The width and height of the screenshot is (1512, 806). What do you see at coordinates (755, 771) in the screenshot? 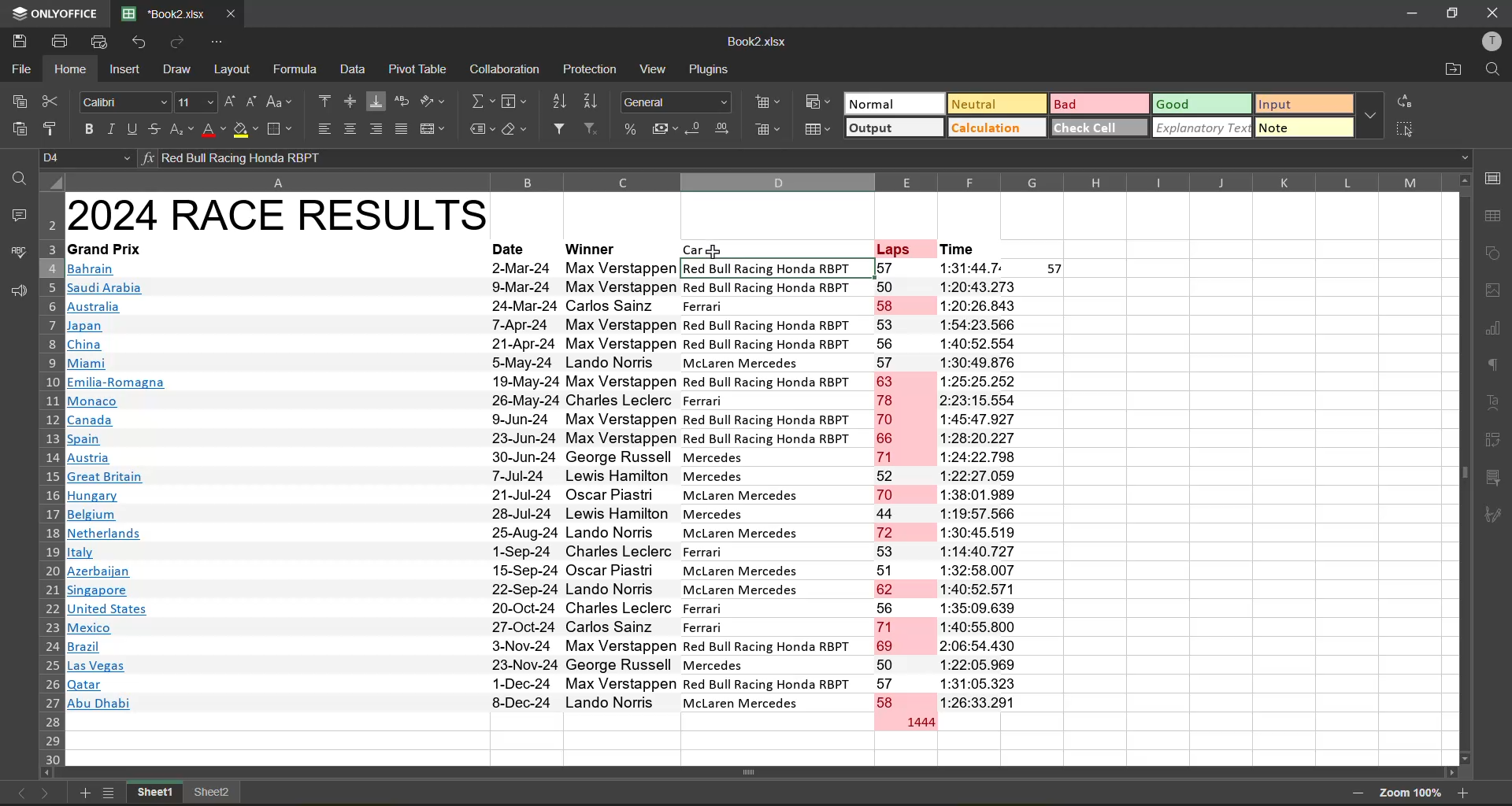
I see `Horizontal scroll` at bounding box center [755, 771].